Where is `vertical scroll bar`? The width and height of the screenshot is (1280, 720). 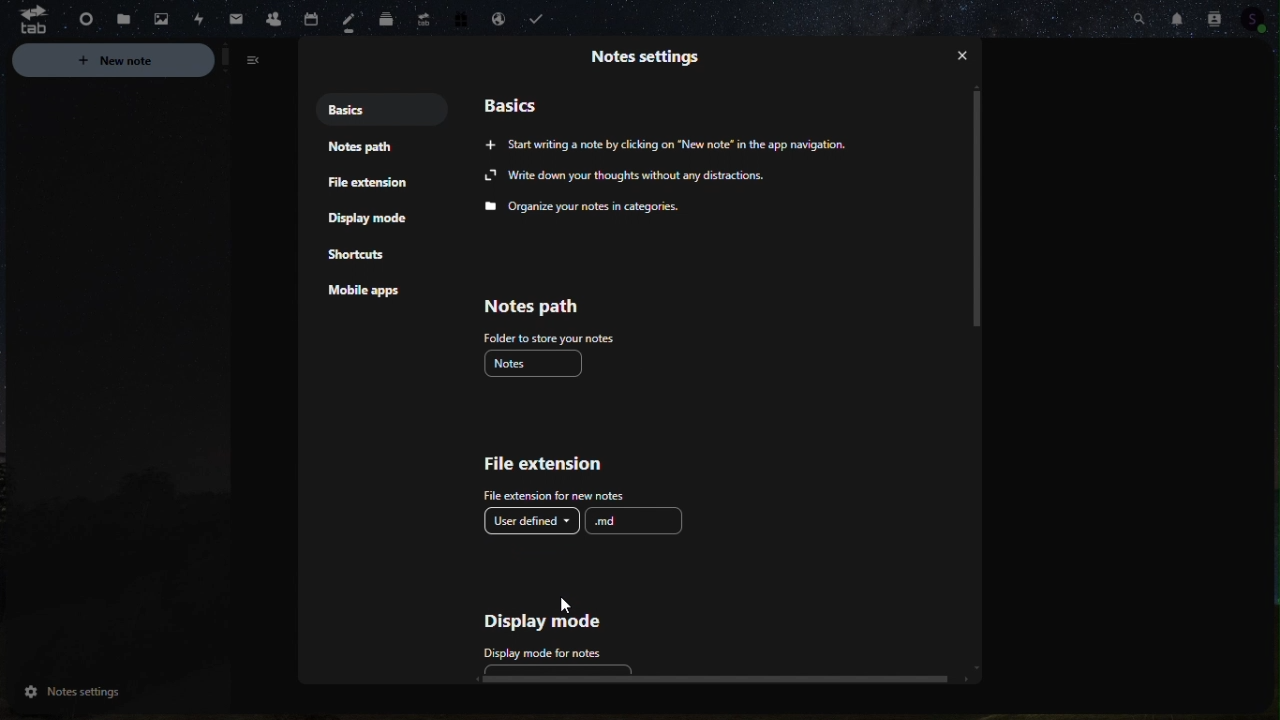 vertical scroll bar is located at coordinates (978, 210).